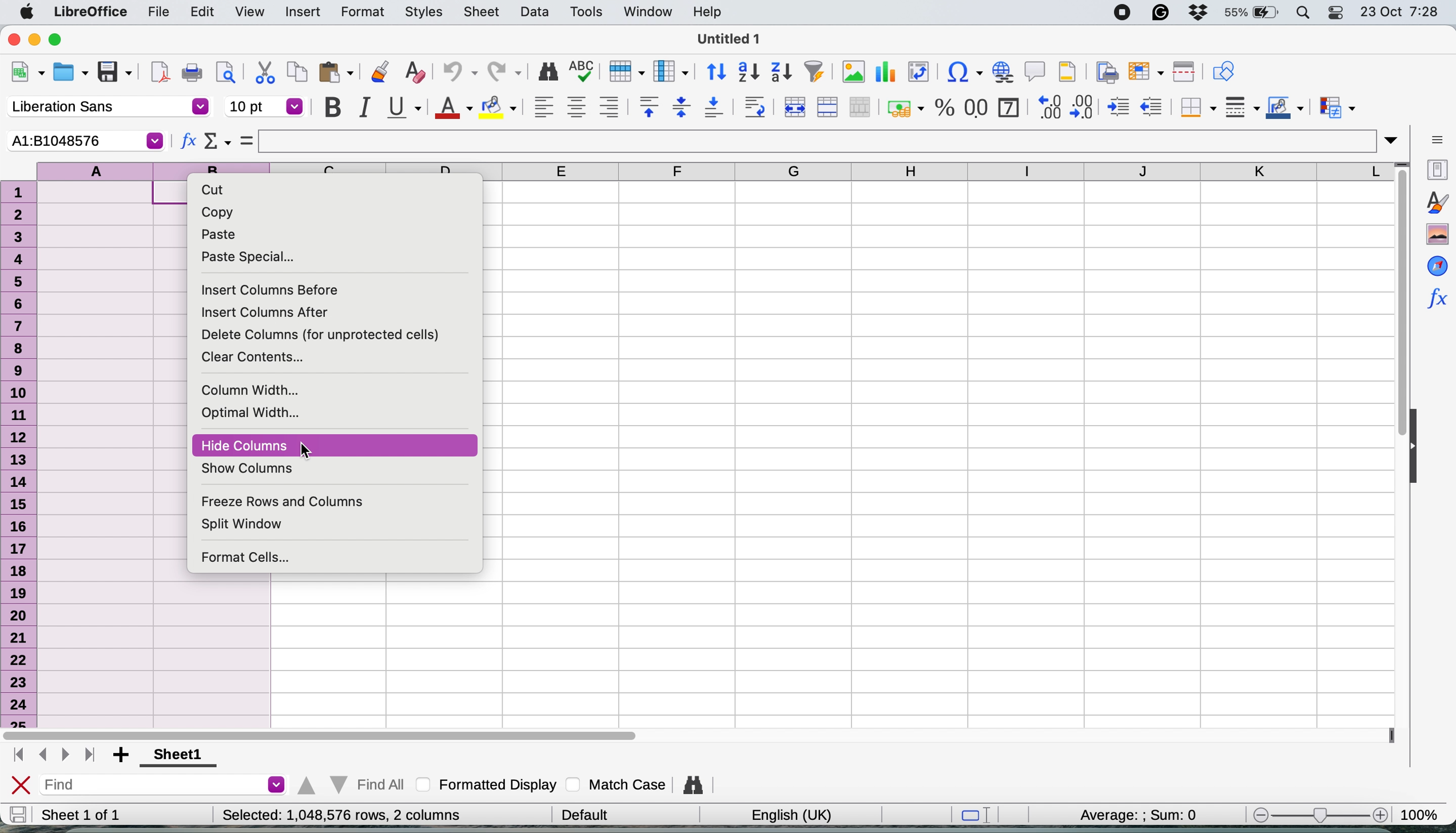 The width and height of the screenshot is (1456, 833). Describe the element at coordinates (1434, 264) in the screenshot. I see `navigator` at that location.